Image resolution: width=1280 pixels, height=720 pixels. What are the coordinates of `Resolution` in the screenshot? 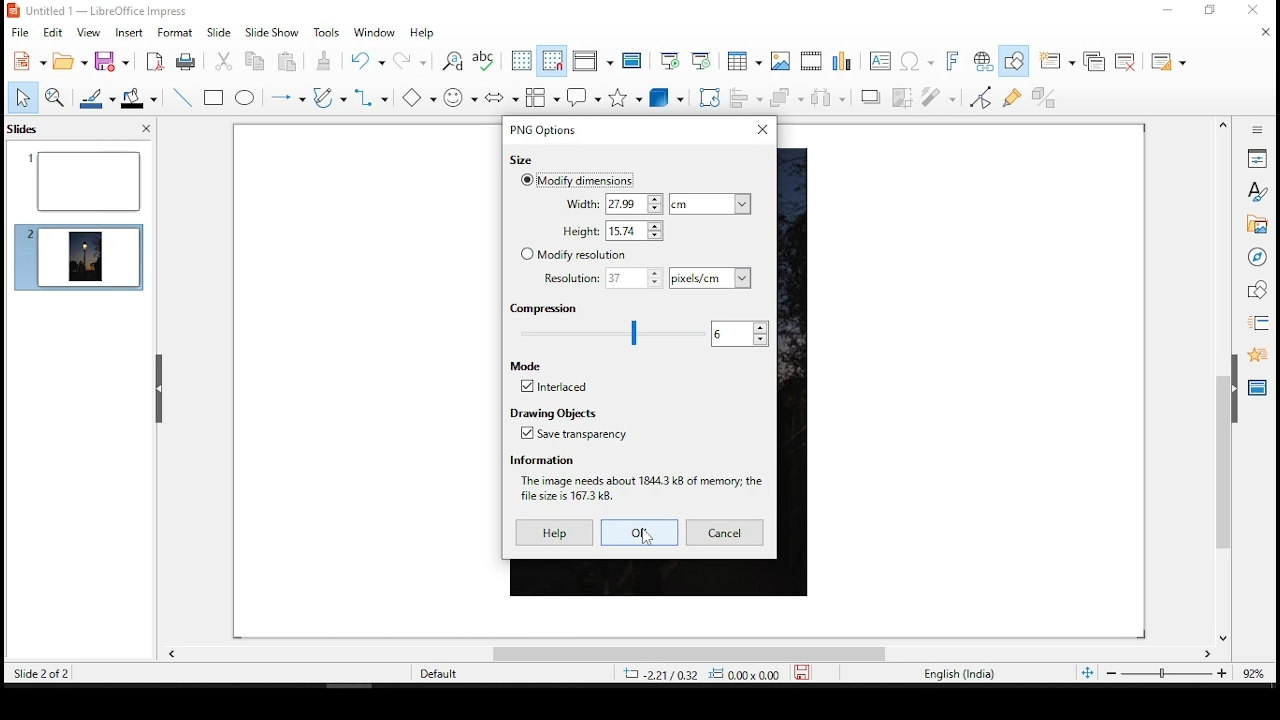 It's located at (603, 278).